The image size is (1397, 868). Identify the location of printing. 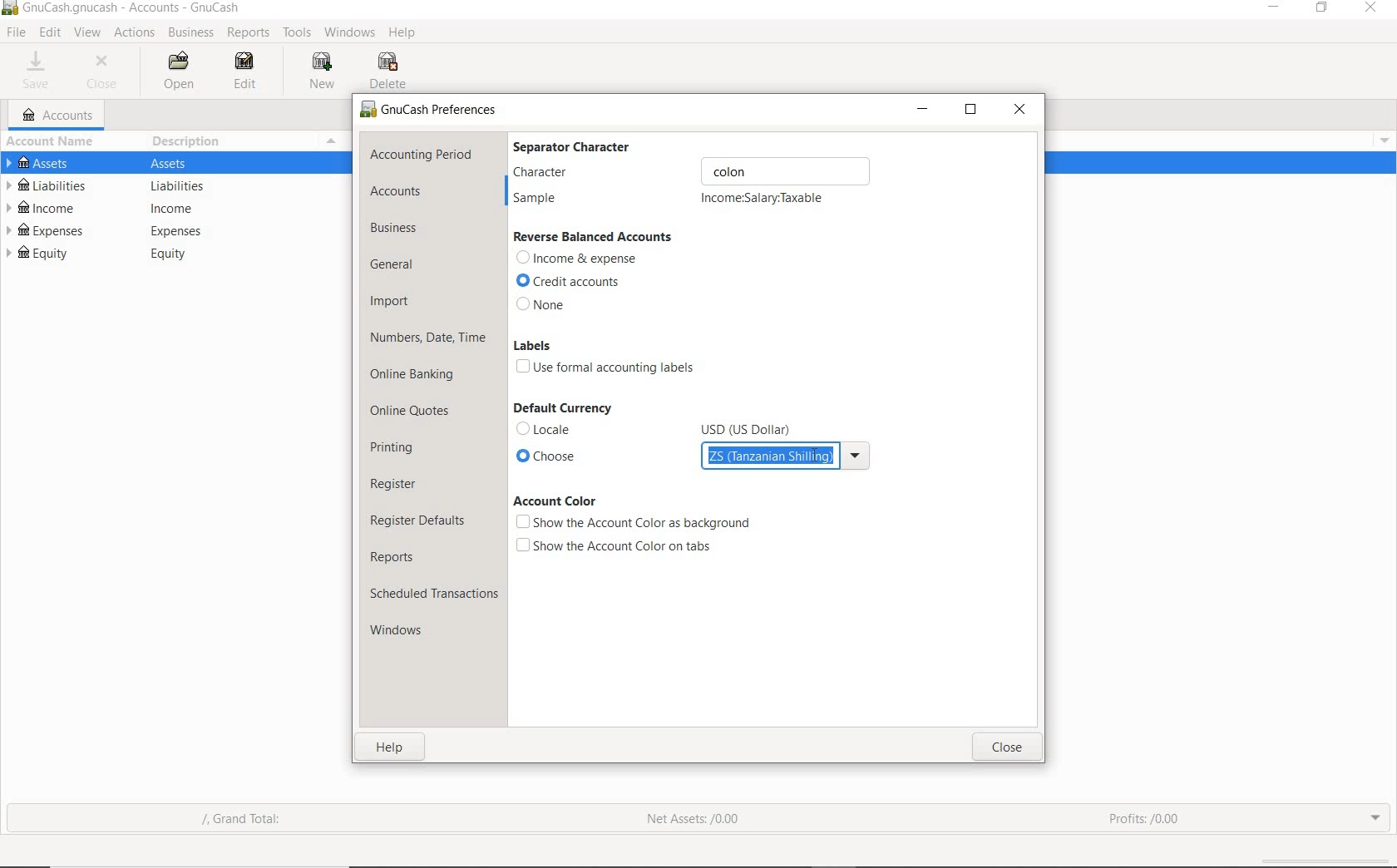
(394, 446).